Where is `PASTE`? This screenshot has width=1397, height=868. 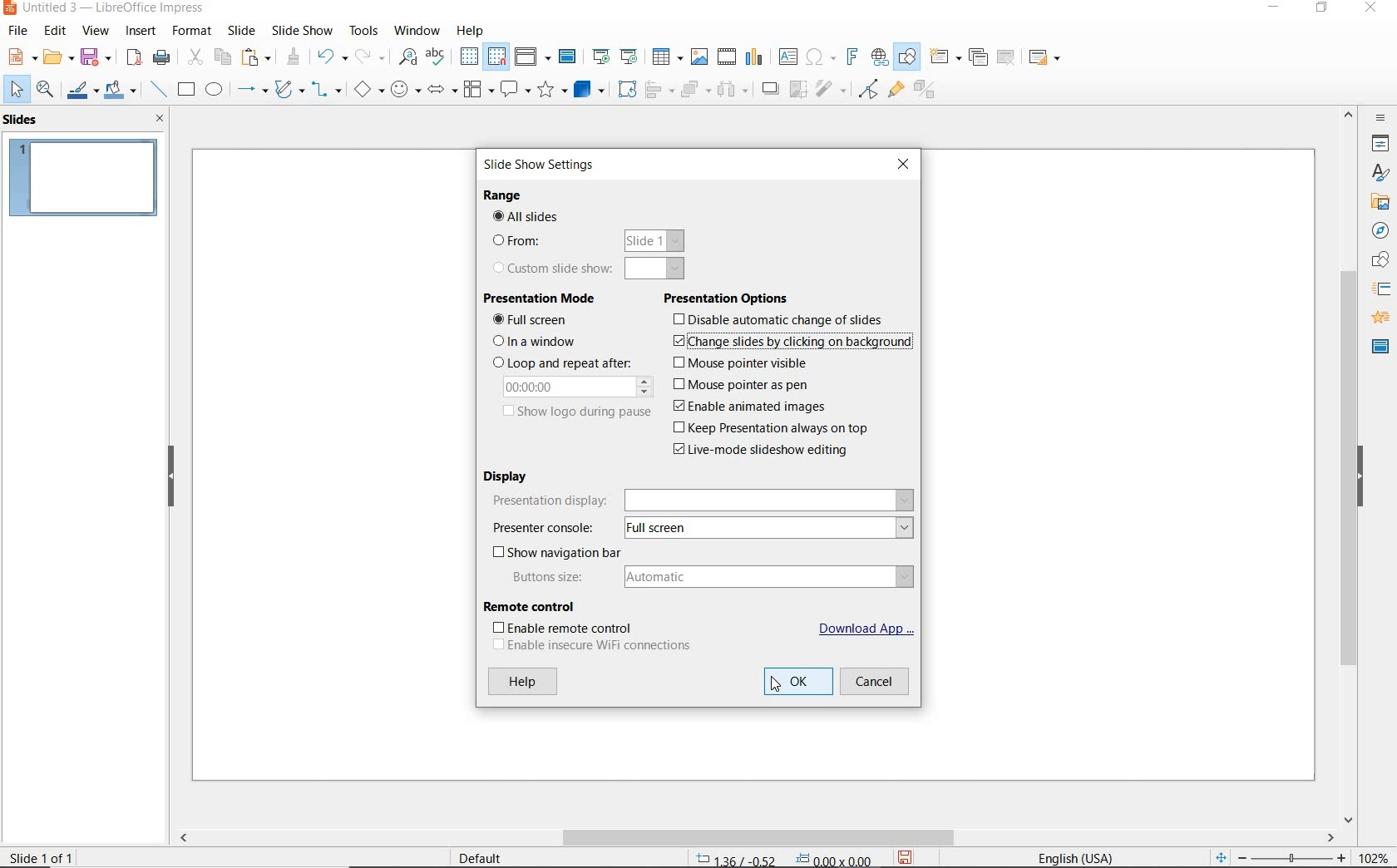
PASTE is located at coordinates (255, 57).